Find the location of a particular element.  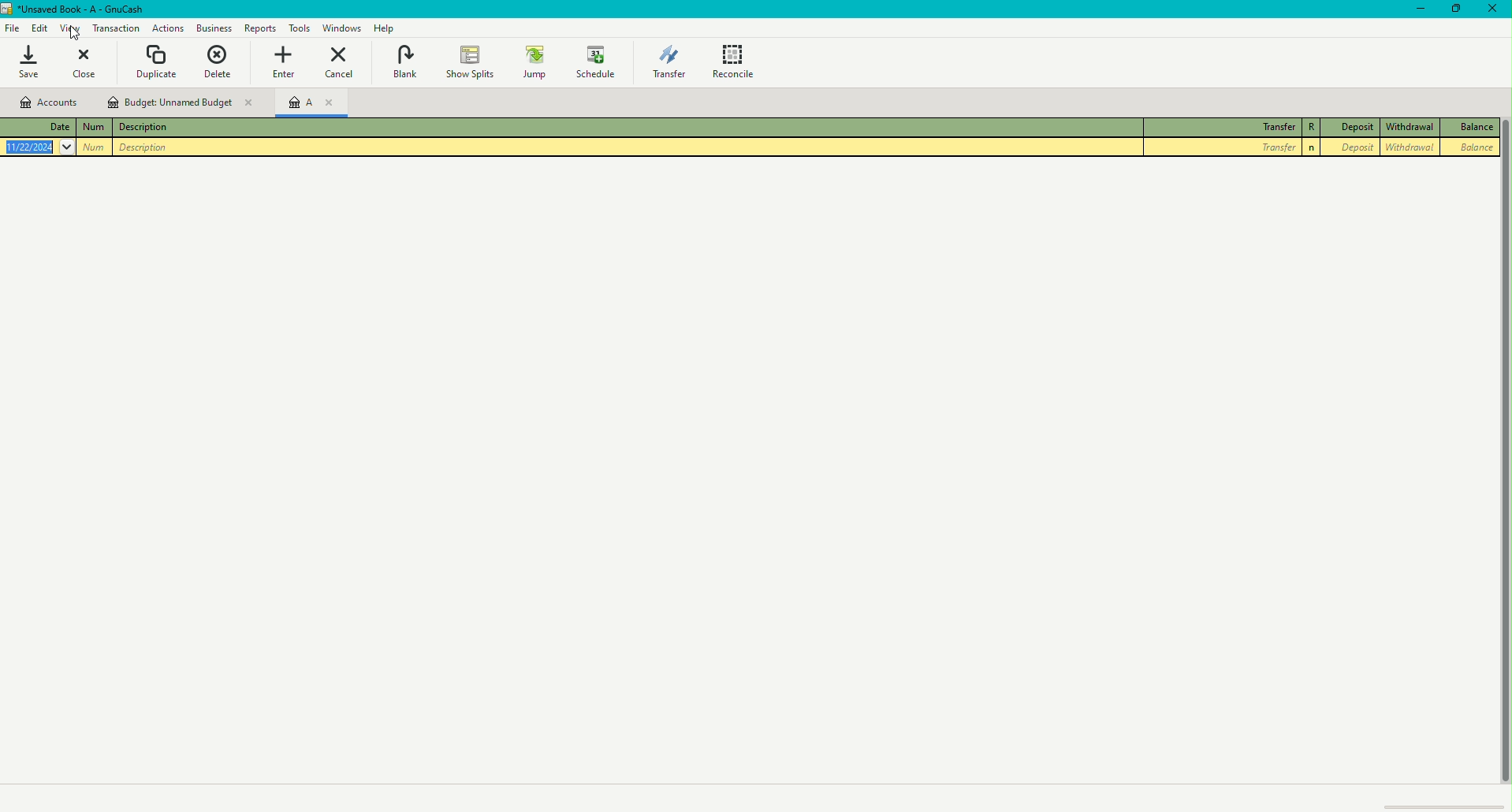

Date is located at coordinates (45, 126).